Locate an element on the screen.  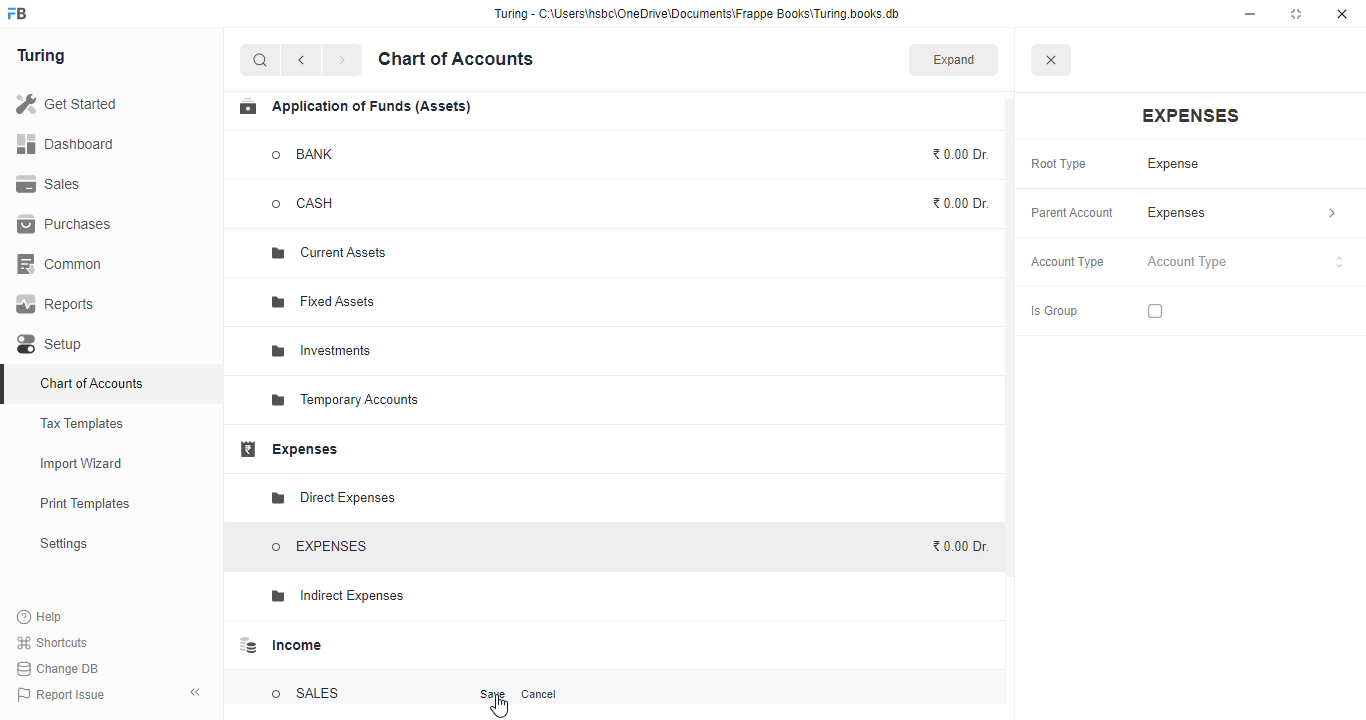
purchases is located at coordinates (67, 225).